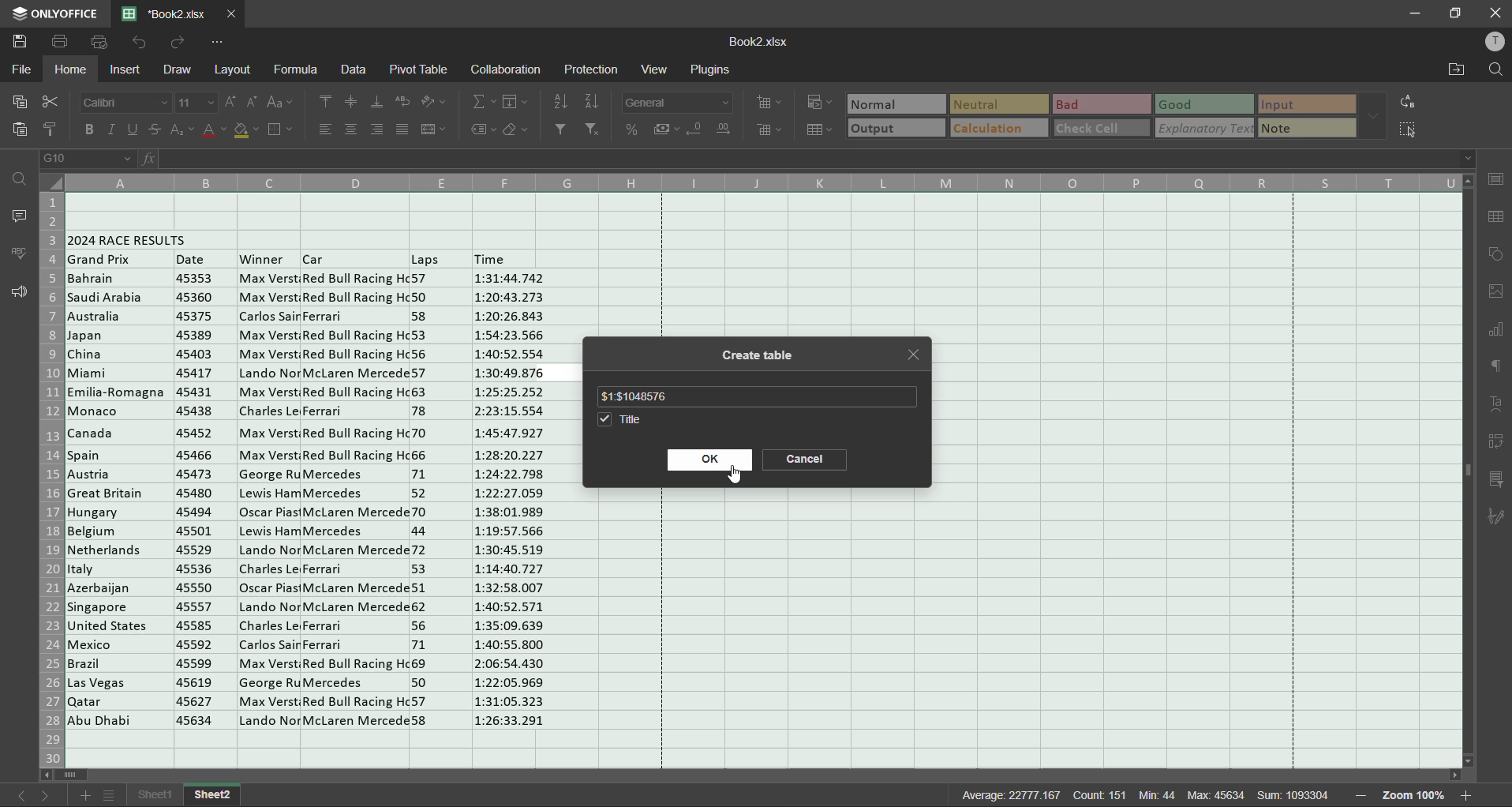  Describe the element at coordinates (593, 72) in the screenshot. I see `protection` at that location.